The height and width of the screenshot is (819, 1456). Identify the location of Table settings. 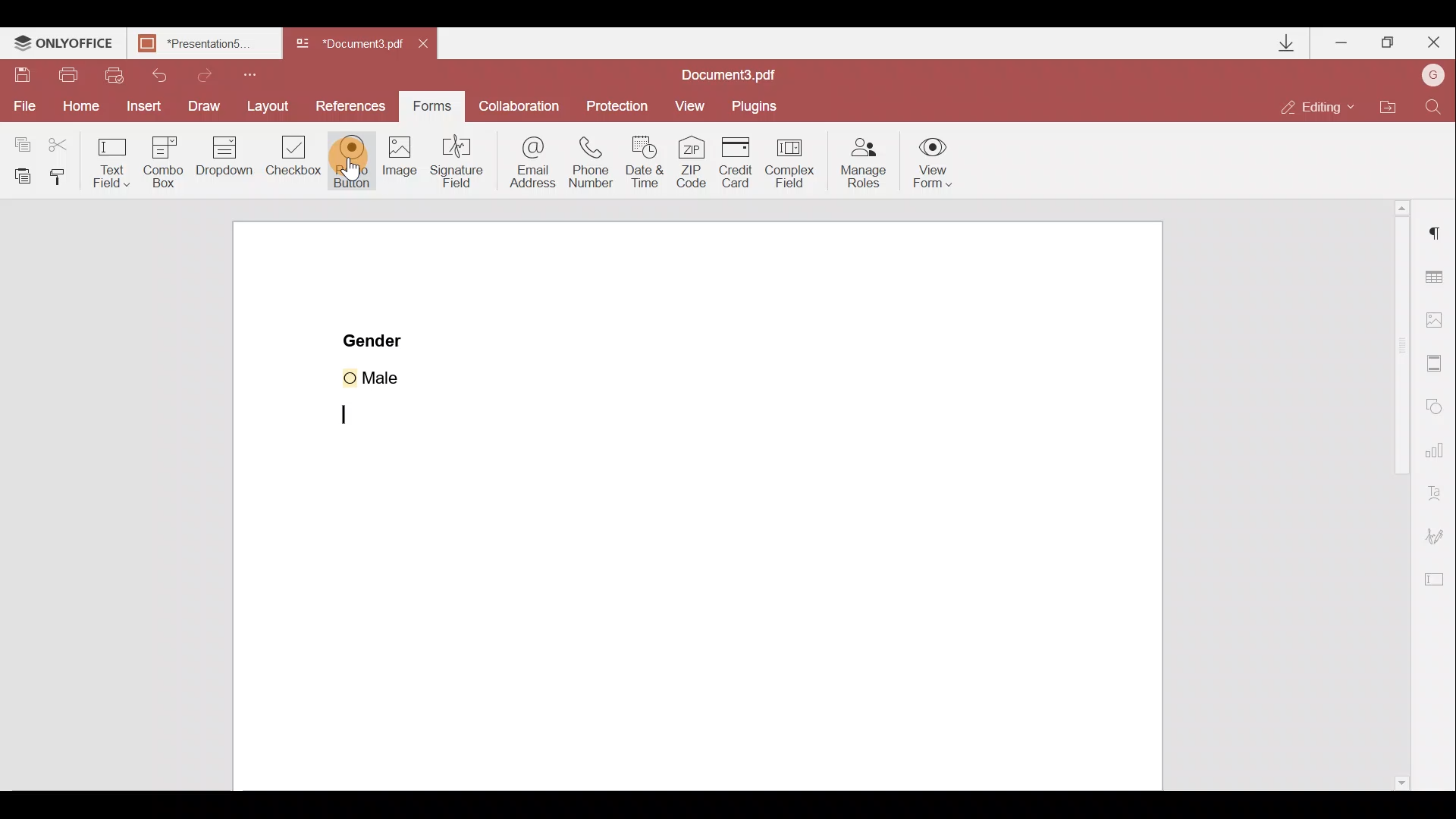
(1437, 274).